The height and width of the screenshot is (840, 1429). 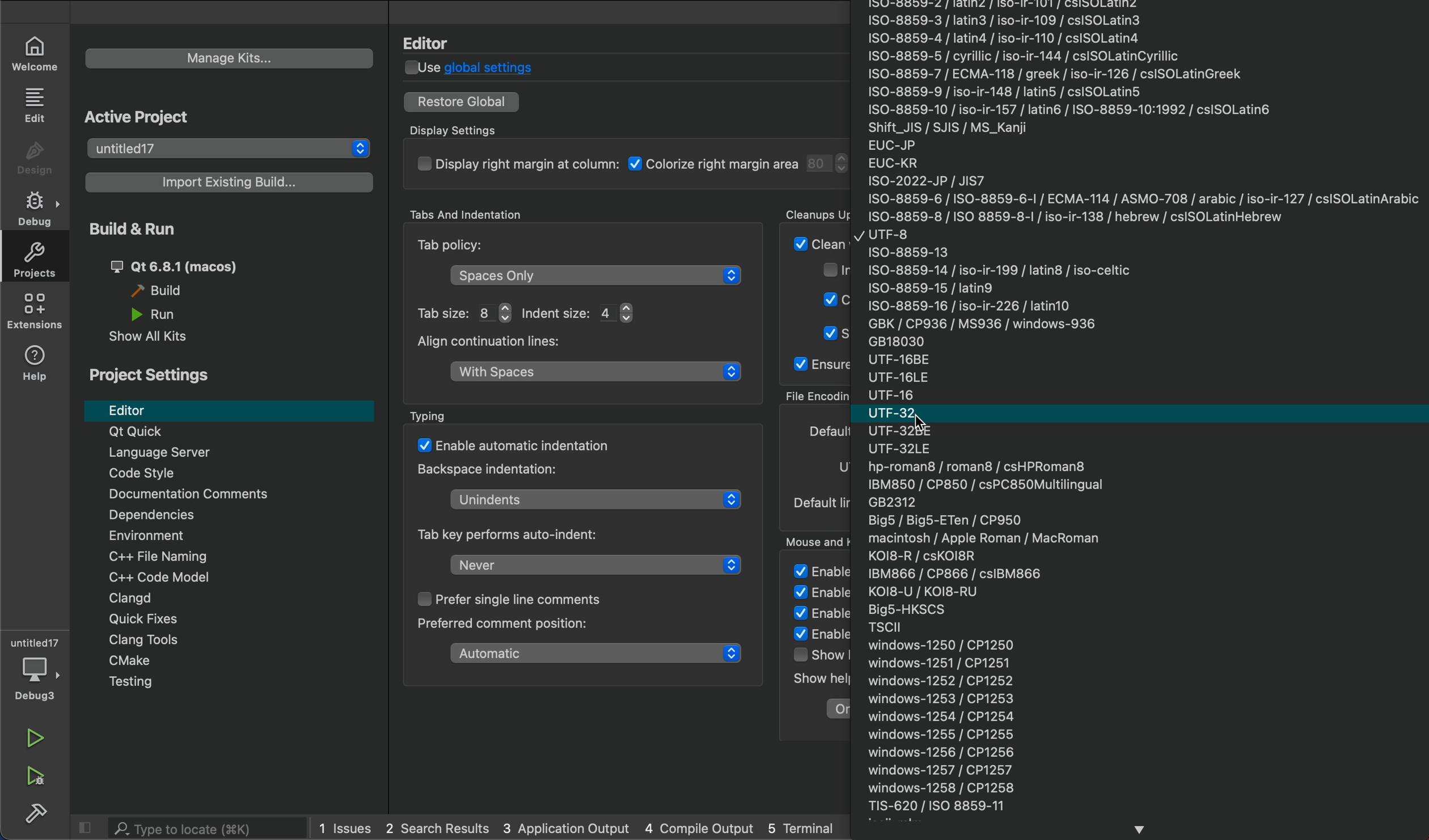 What do you see at coordinates (213, 642) in the screenshot?
I see `Clang Tools` at bounding box center [213, 642].